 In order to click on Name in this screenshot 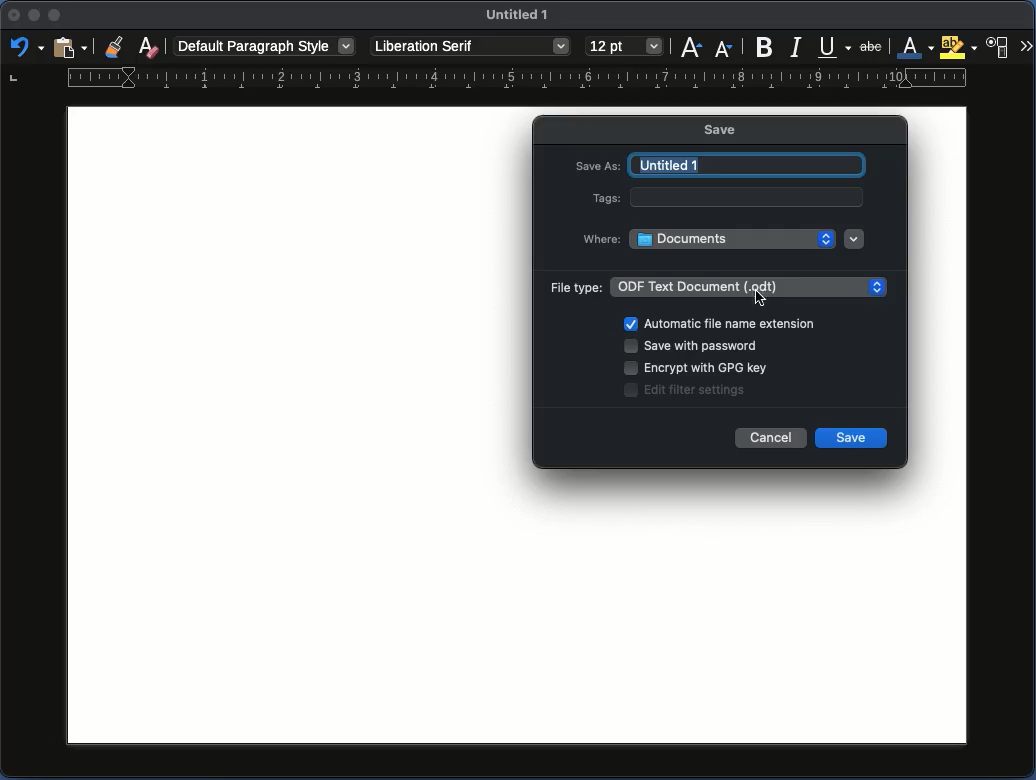, I will do `click(521, 18)`.